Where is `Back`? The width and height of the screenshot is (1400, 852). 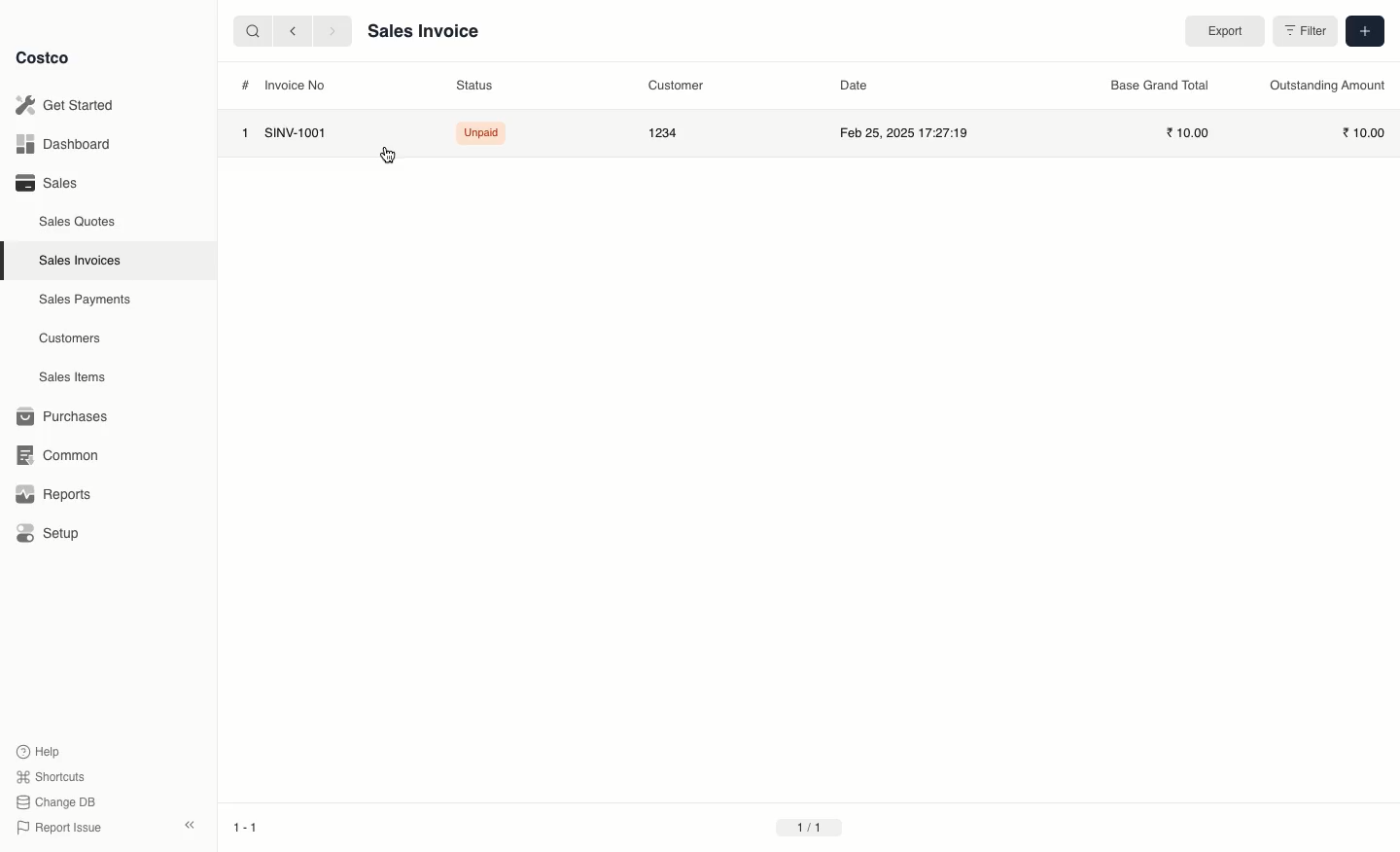 Back is located at coordinates (288, 33).